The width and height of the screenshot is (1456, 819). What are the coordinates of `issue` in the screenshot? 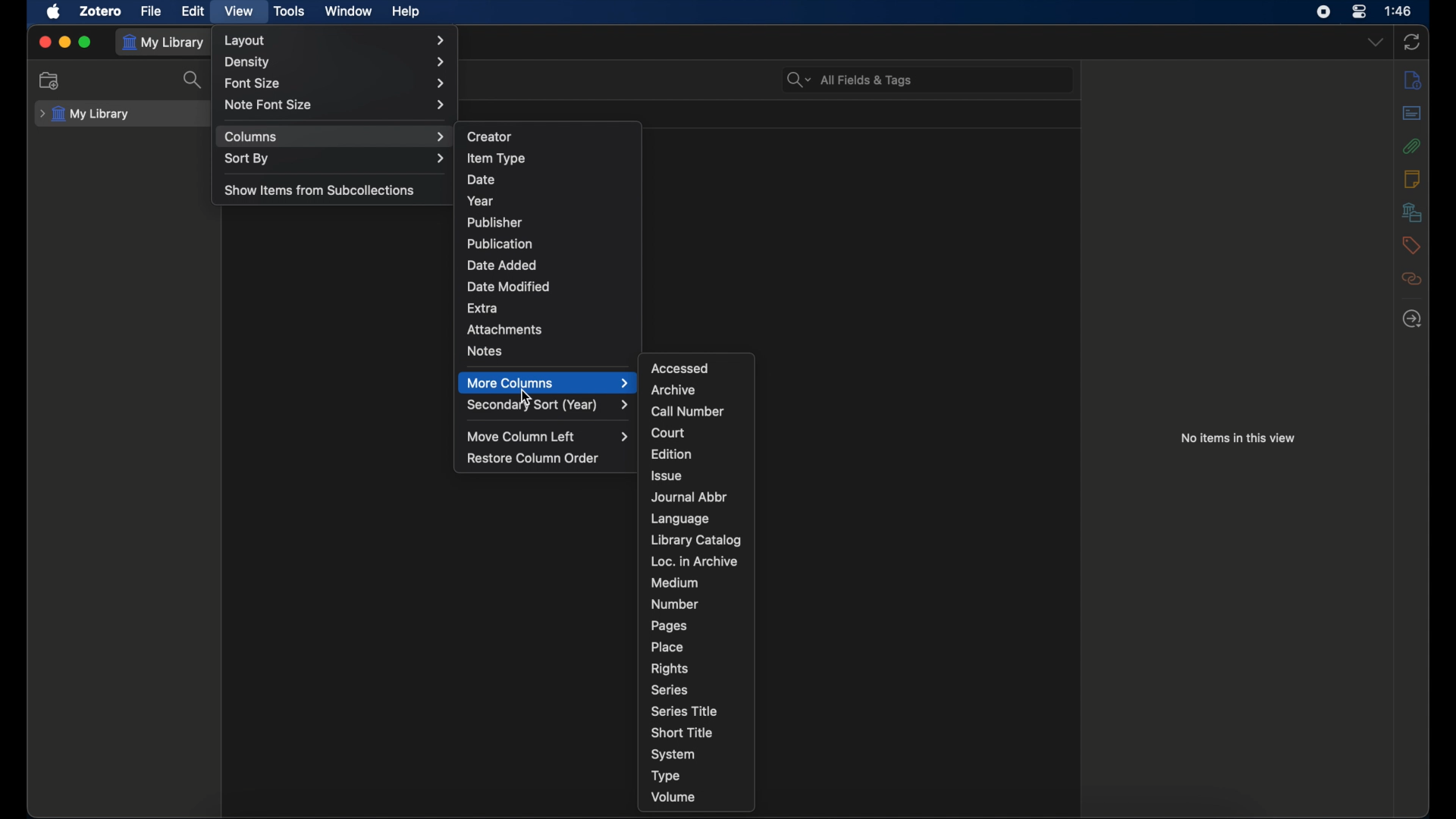 It's located at (668, 475).